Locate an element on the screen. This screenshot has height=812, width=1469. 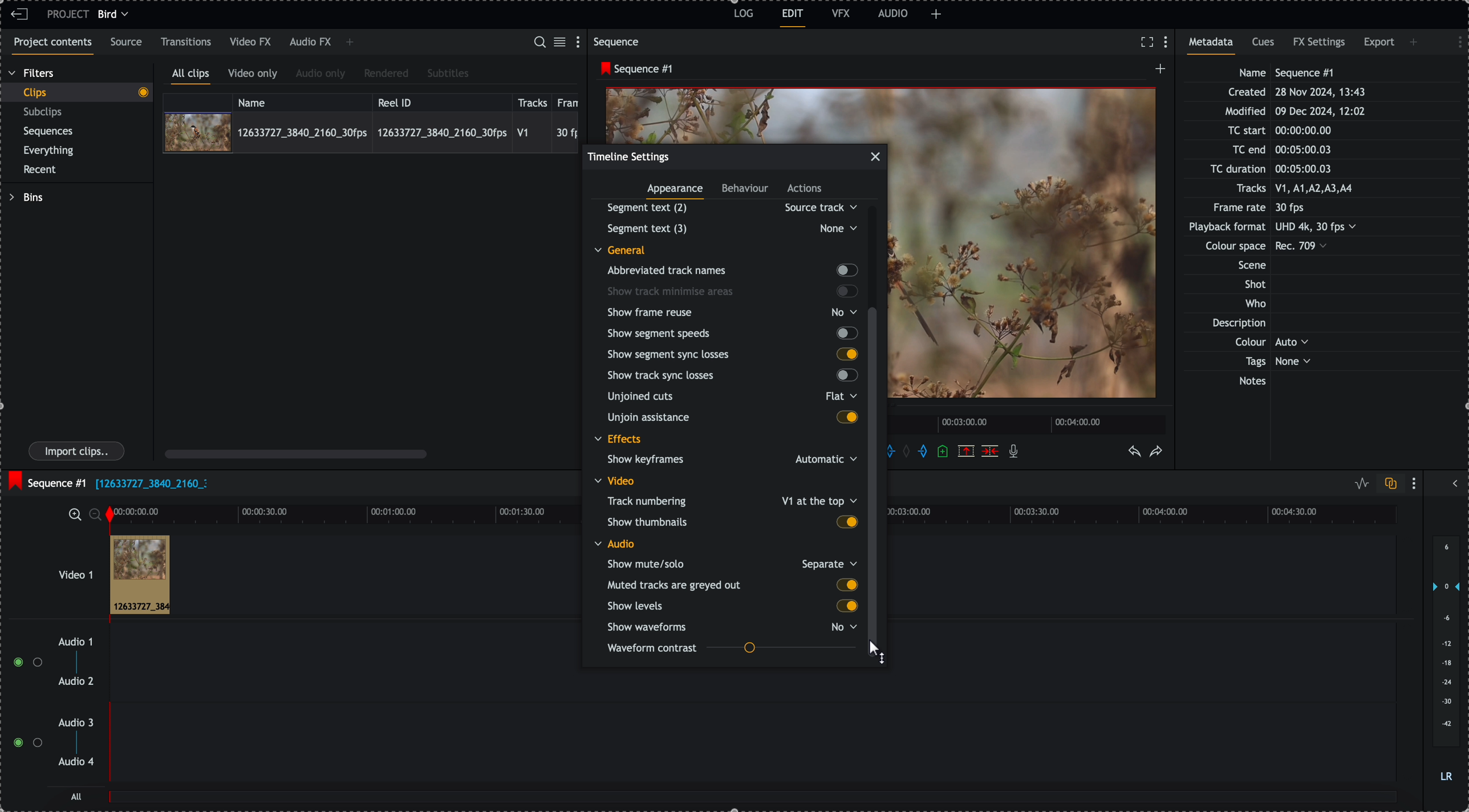
scroll bar is located at coordinates (296, 453).